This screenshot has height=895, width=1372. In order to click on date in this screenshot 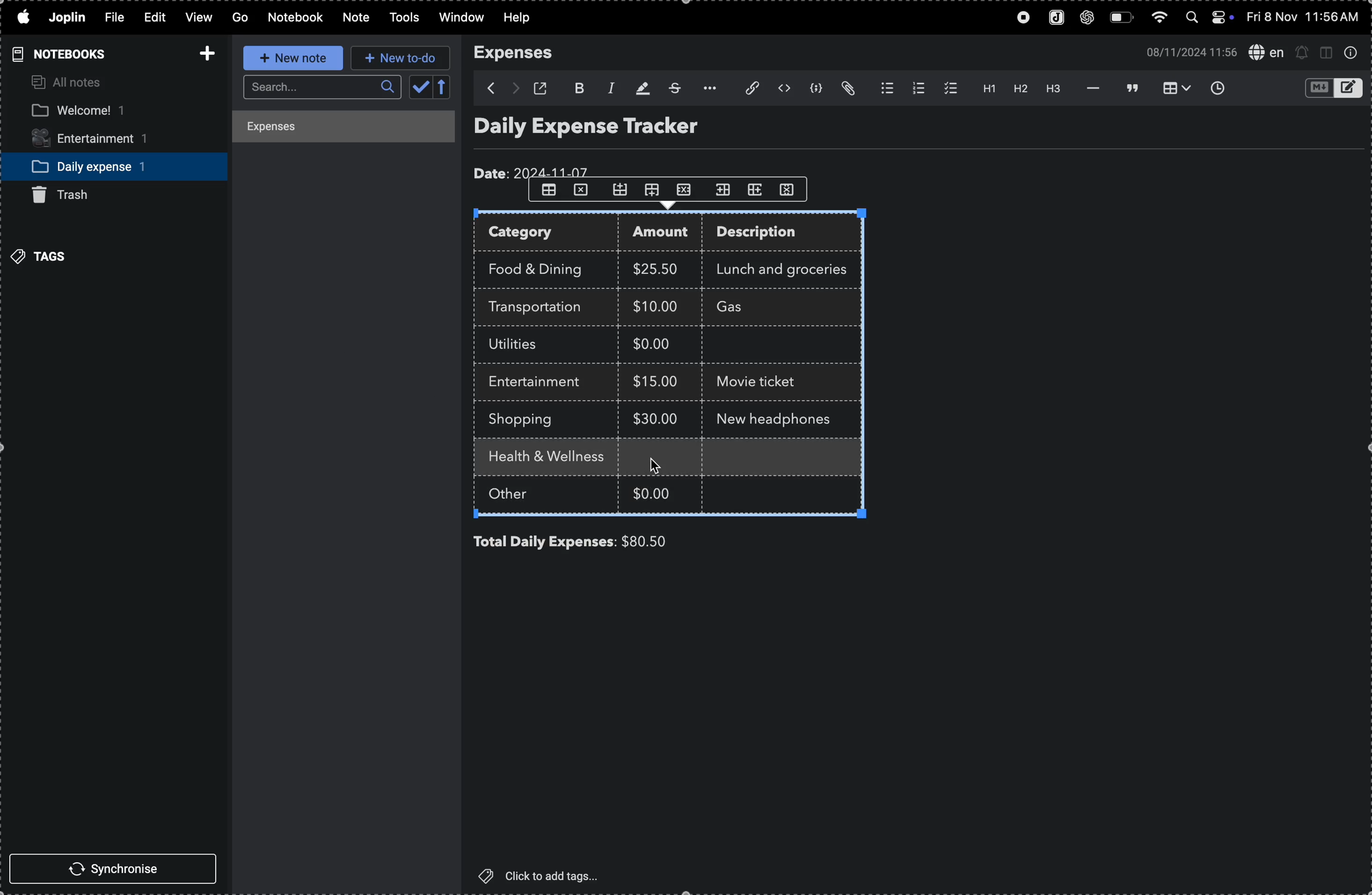, I will do `click(534, 170)`.